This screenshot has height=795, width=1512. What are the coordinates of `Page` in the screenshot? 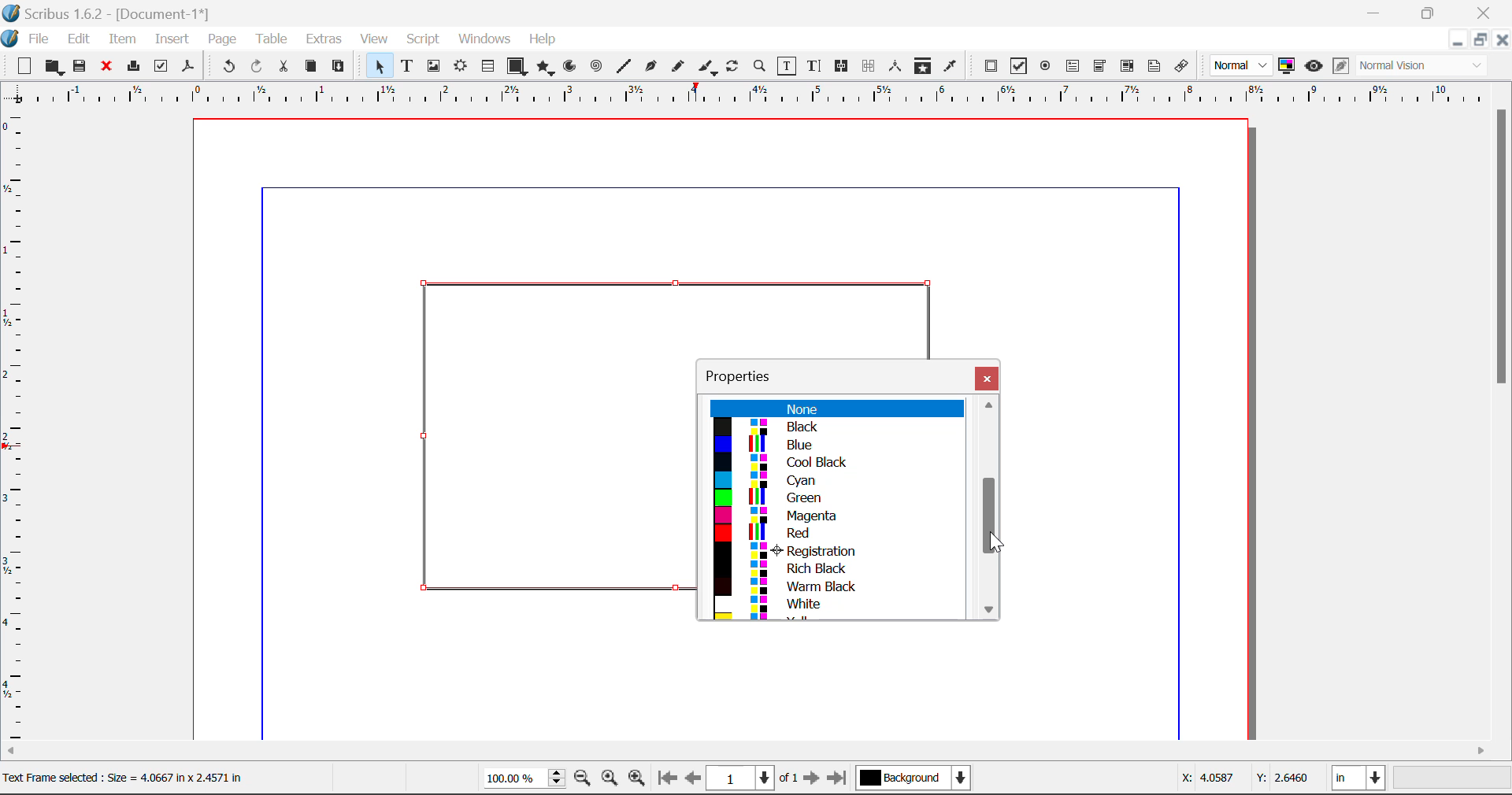 It's located at (221, 39).